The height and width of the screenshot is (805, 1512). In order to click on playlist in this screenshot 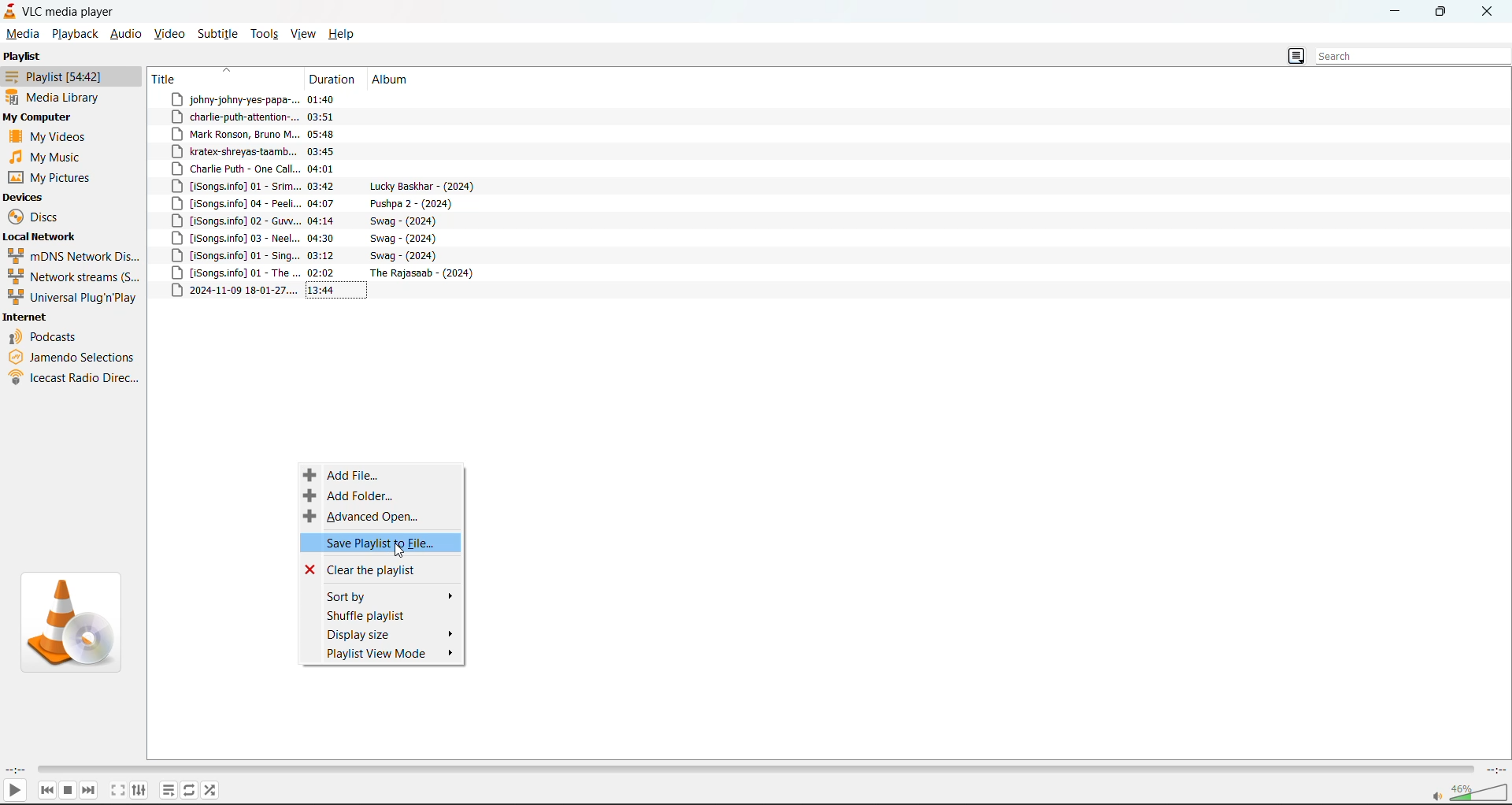, I will do `click(64, 76)`.